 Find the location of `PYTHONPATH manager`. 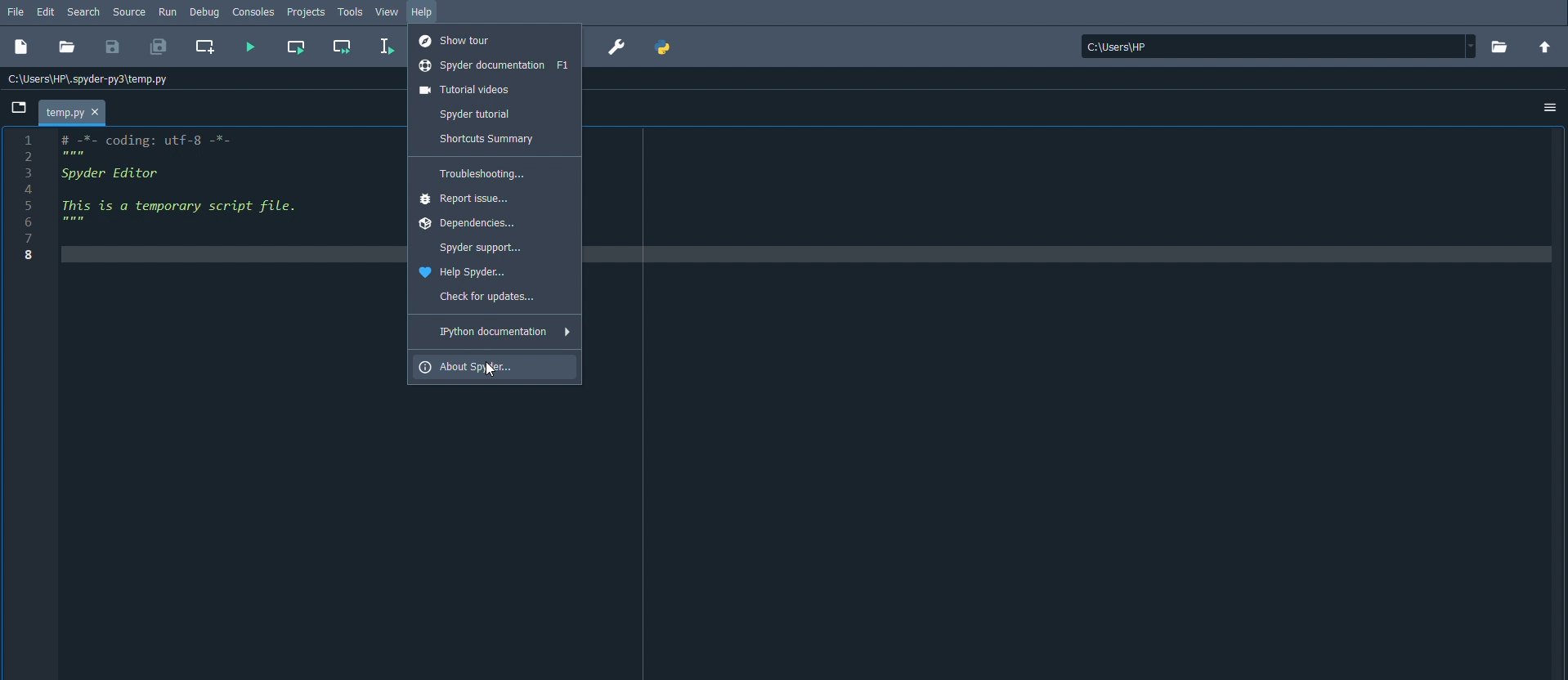

PYTHONPATH manager is located at coordinates (666, 47).